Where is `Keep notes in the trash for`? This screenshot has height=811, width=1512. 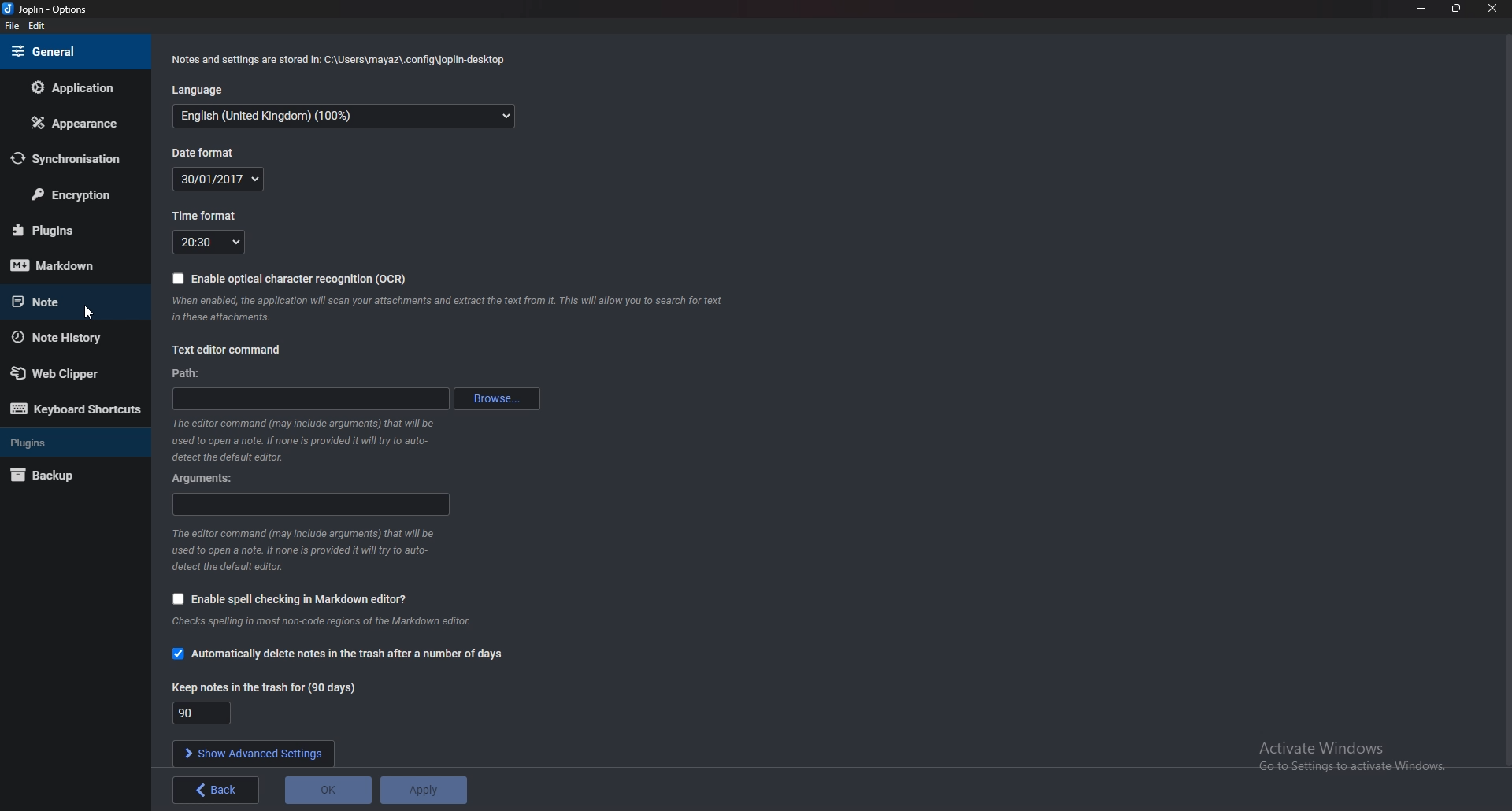
Keep notes in the trash for is located at coordinates (202, 713).